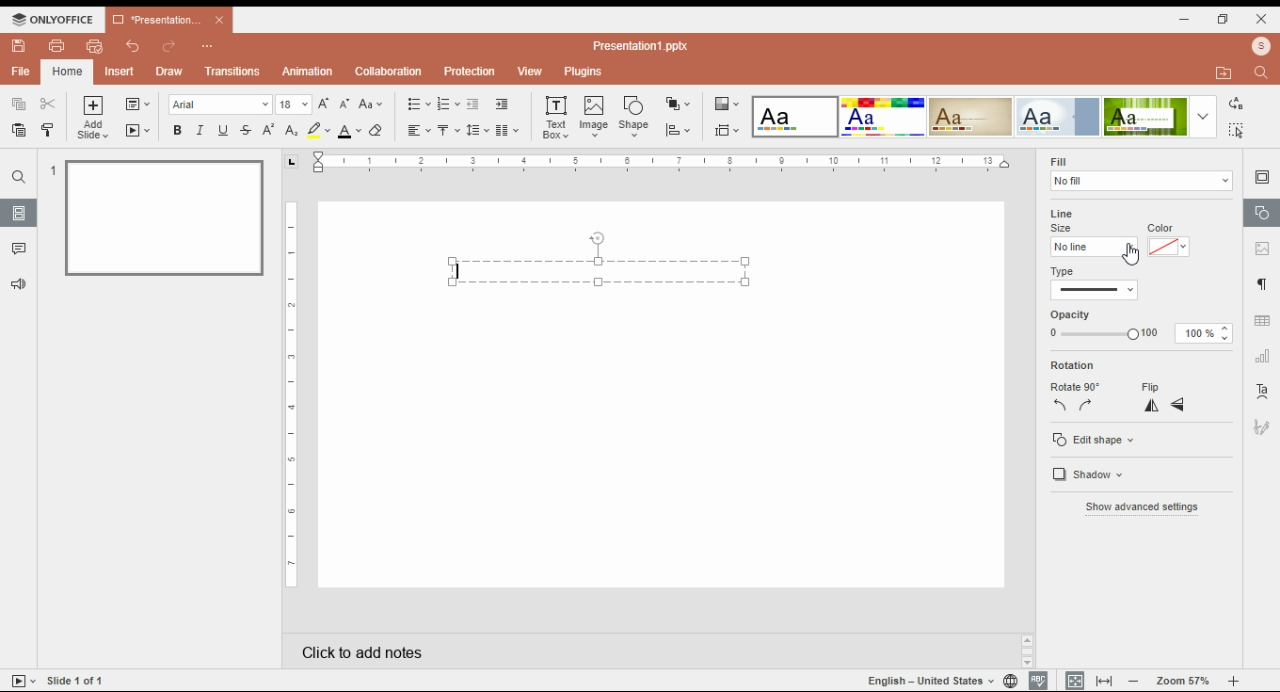 The image size is (1280, 692). What do you see at coordinates (971, 116) in the screenshot?
I see `color theme` at bounding box center [971, 116].